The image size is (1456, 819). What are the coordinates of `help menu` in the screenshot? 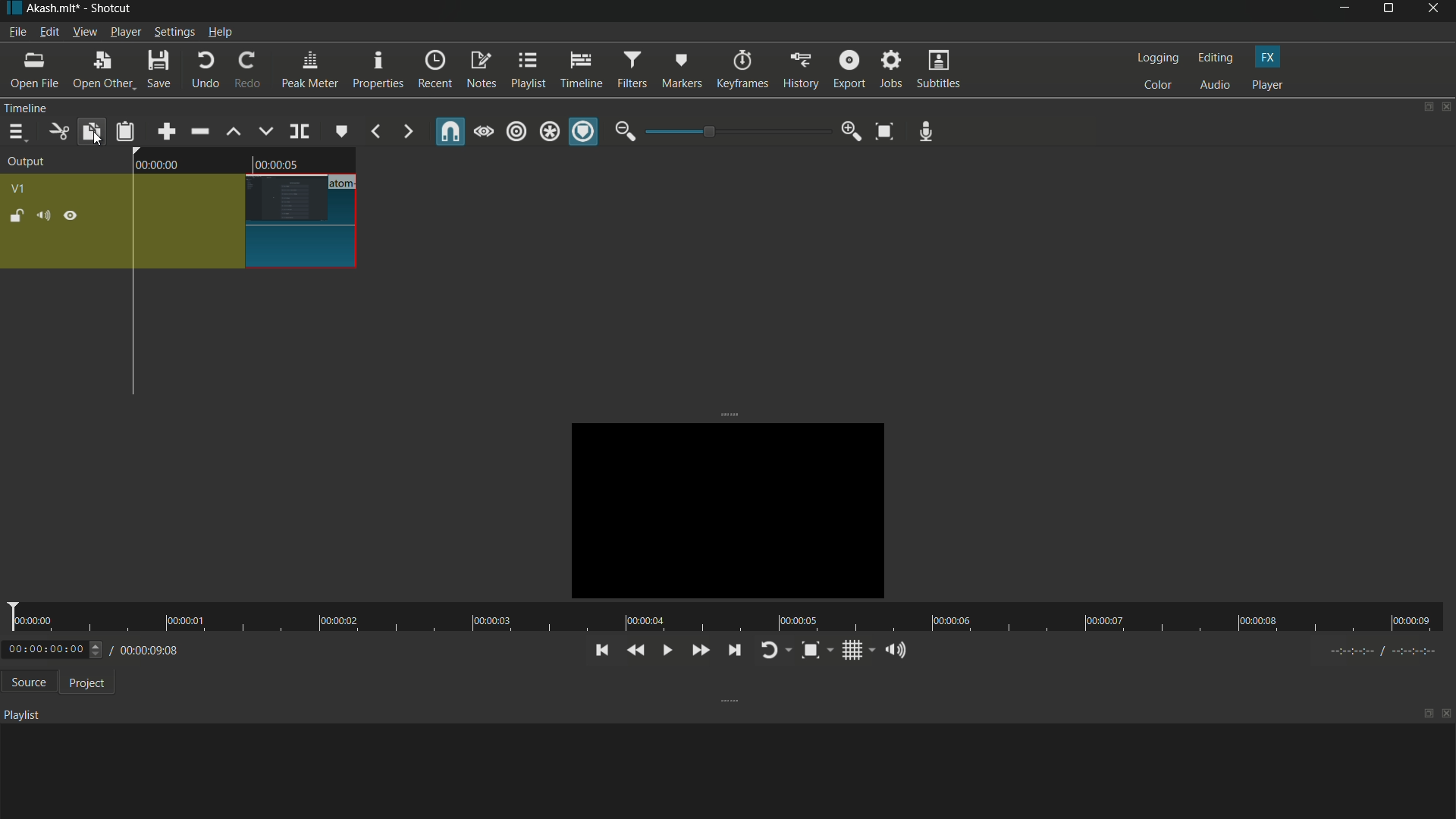 It's located at (221, 32).